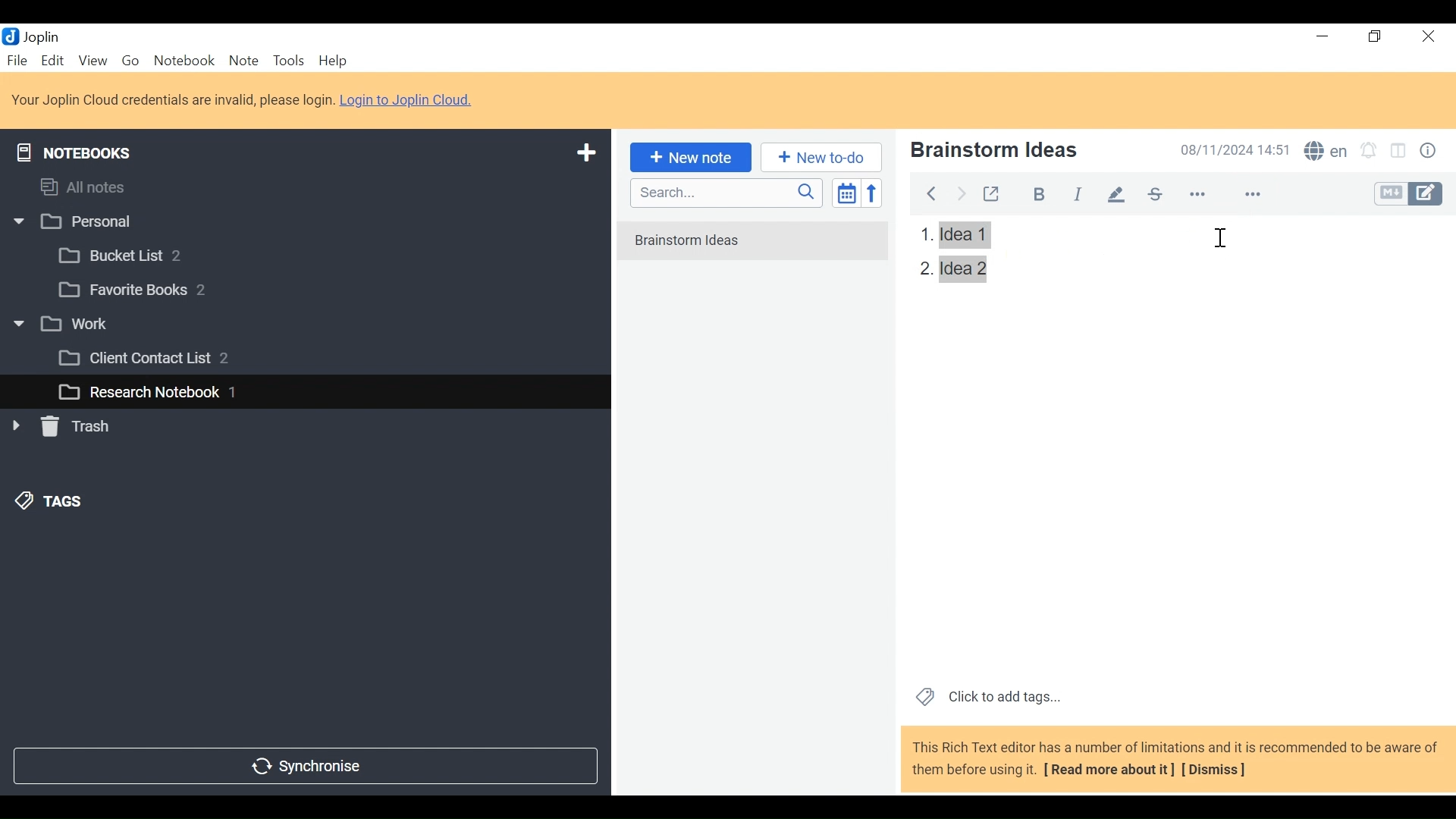 The width and height of the screenshot is (1456, 819). Describe the element at coordinates (1252, 193) in the screenshot. I see `More Options` at that location.